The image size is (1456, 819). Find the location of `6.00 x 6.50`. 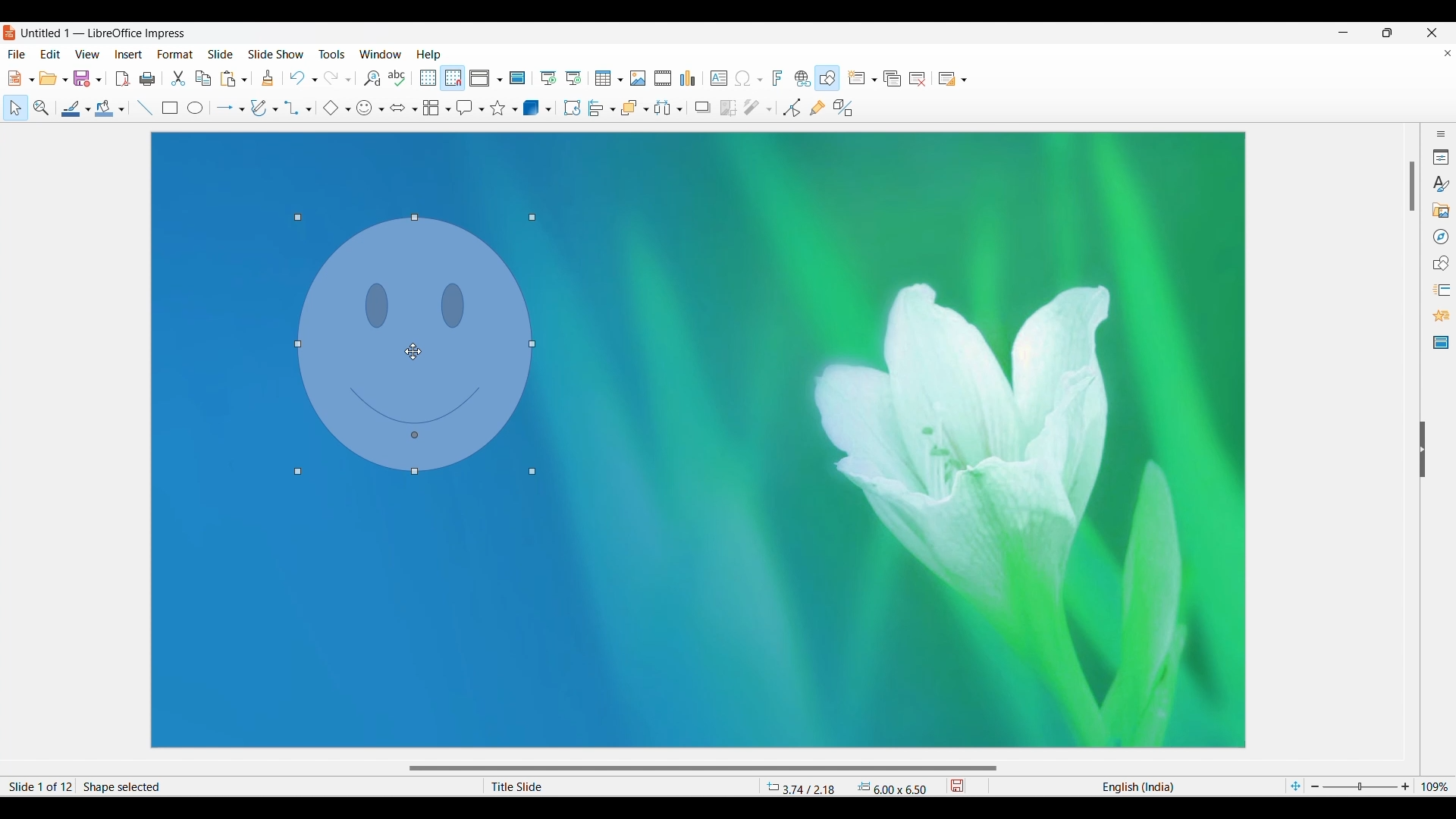

6.00 x 6.50 is located at coordinates (893, 787).